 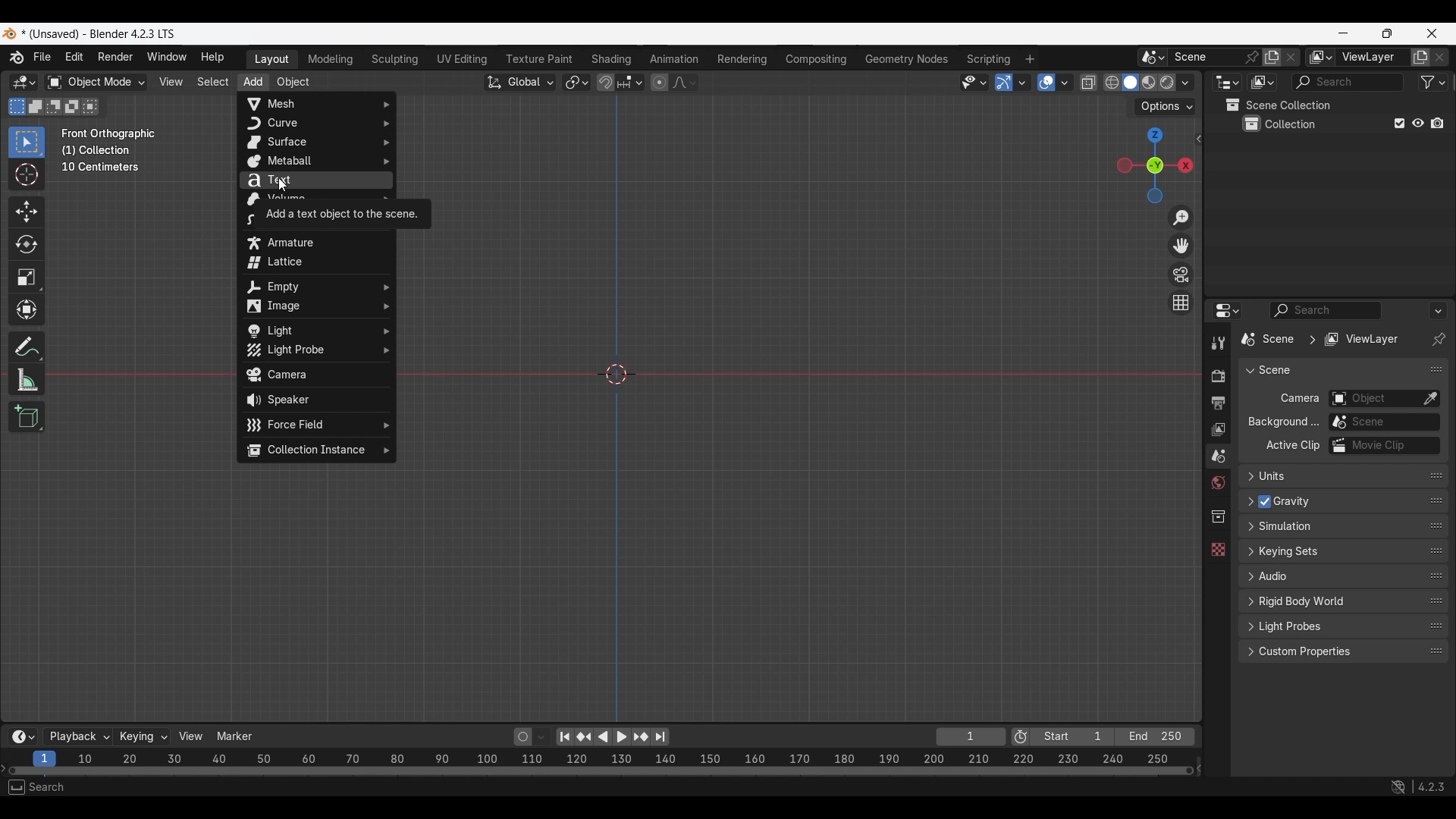 What do you see at coordinates (27, 278) in the screenshot?
I see `Scale` at bounding box center [27, 278].